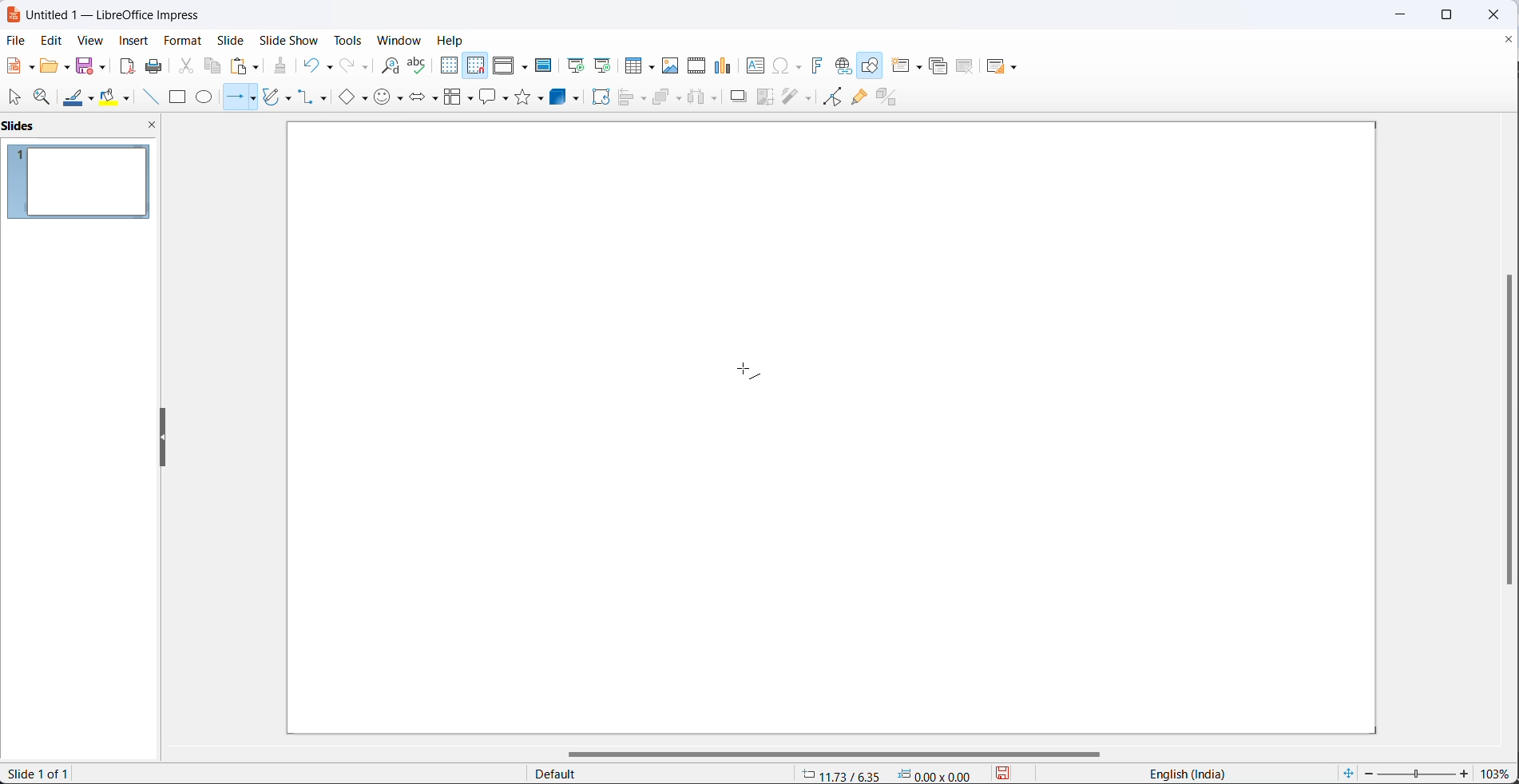 The width and height of the screenshot is (1519, 784). What do you see at coordinates (492, 97) in the screenshot?
I see `callout shapes` at bounding box center [492, 97].